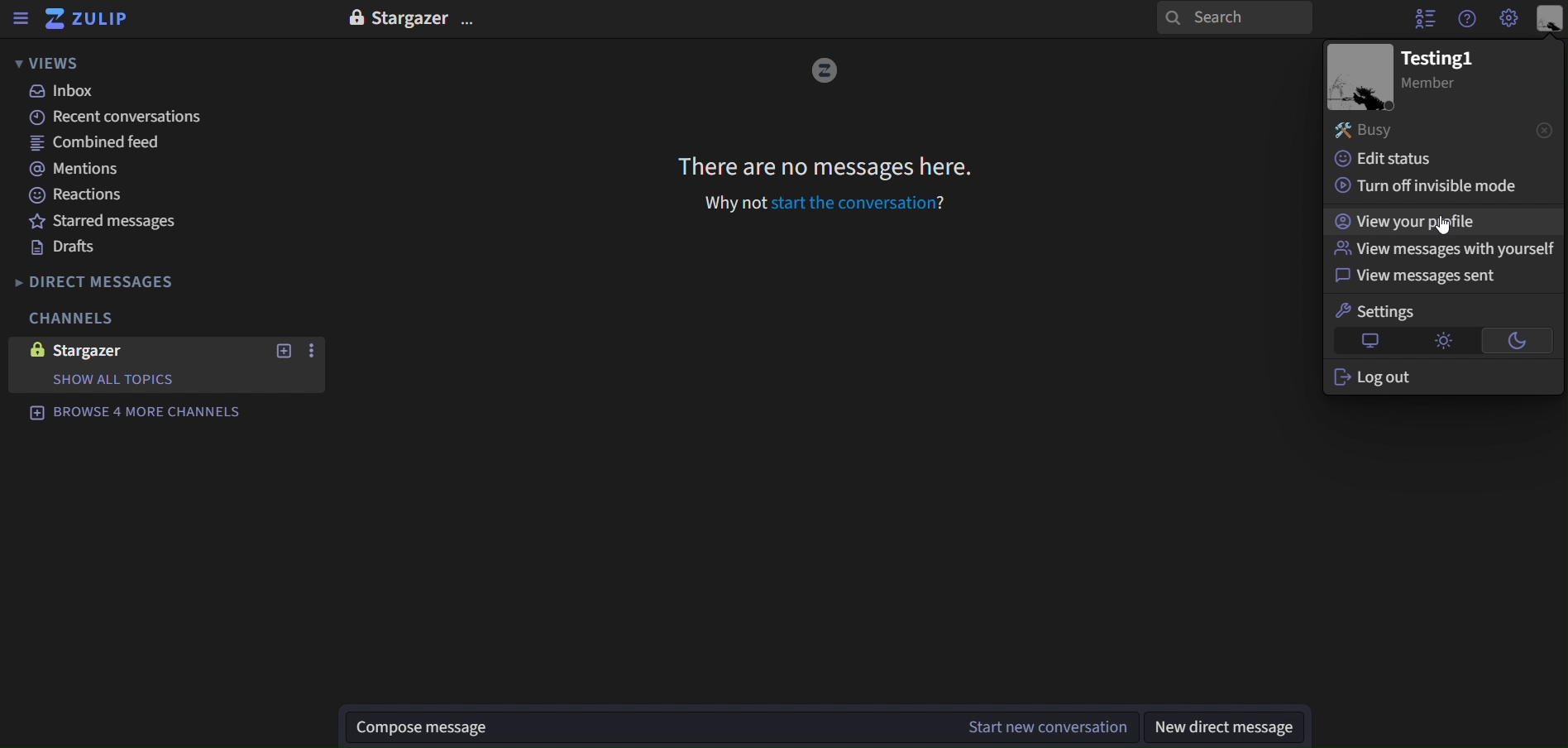  I want to click on zulip, so click(96, 21).